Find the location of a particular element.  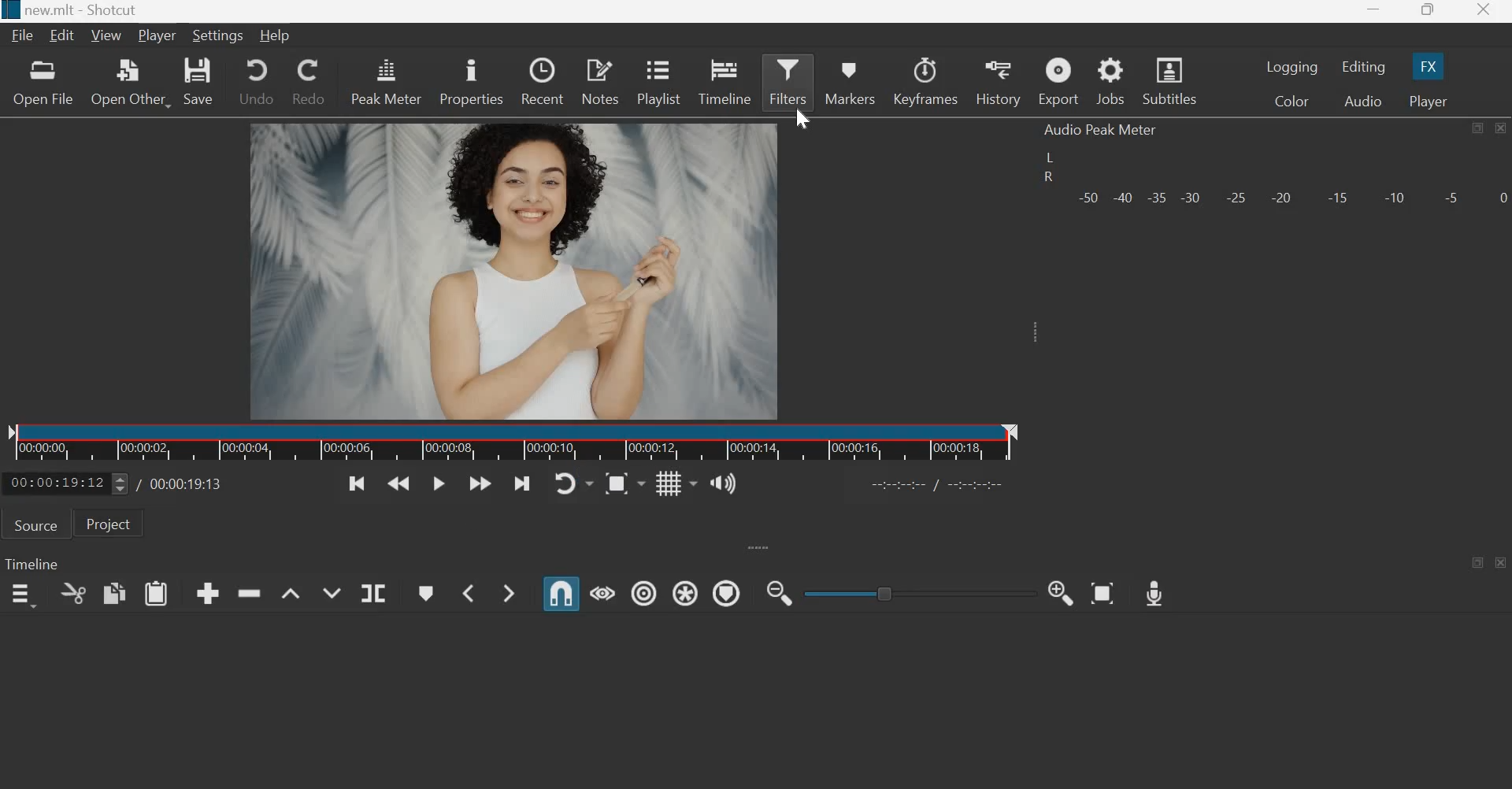

Timeline ruler is located at coordinates (513, 442).